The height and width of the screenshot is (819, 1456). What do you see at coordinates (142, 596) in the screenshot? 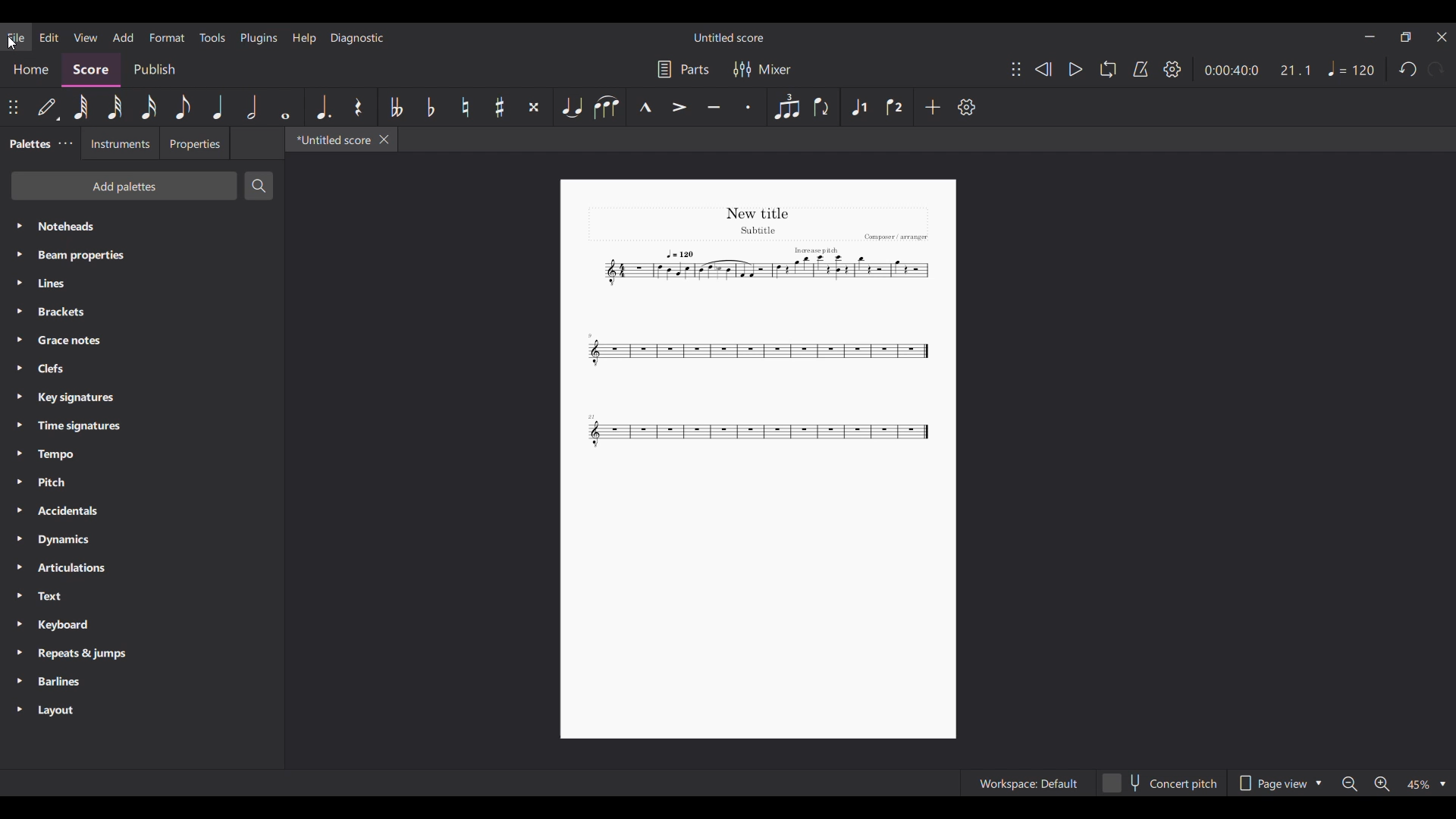
I see `Text` at bounding box center [142, 596].